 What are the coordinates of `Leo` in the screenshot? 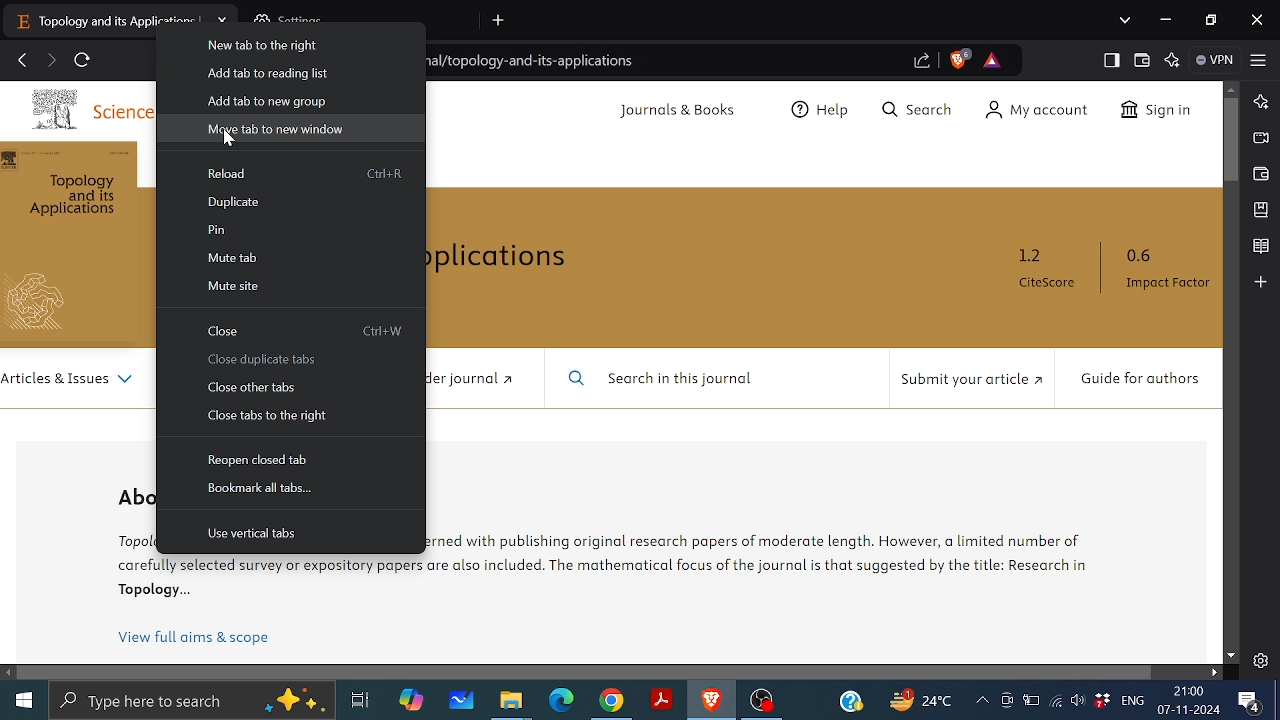 It's located at (1260, 102).